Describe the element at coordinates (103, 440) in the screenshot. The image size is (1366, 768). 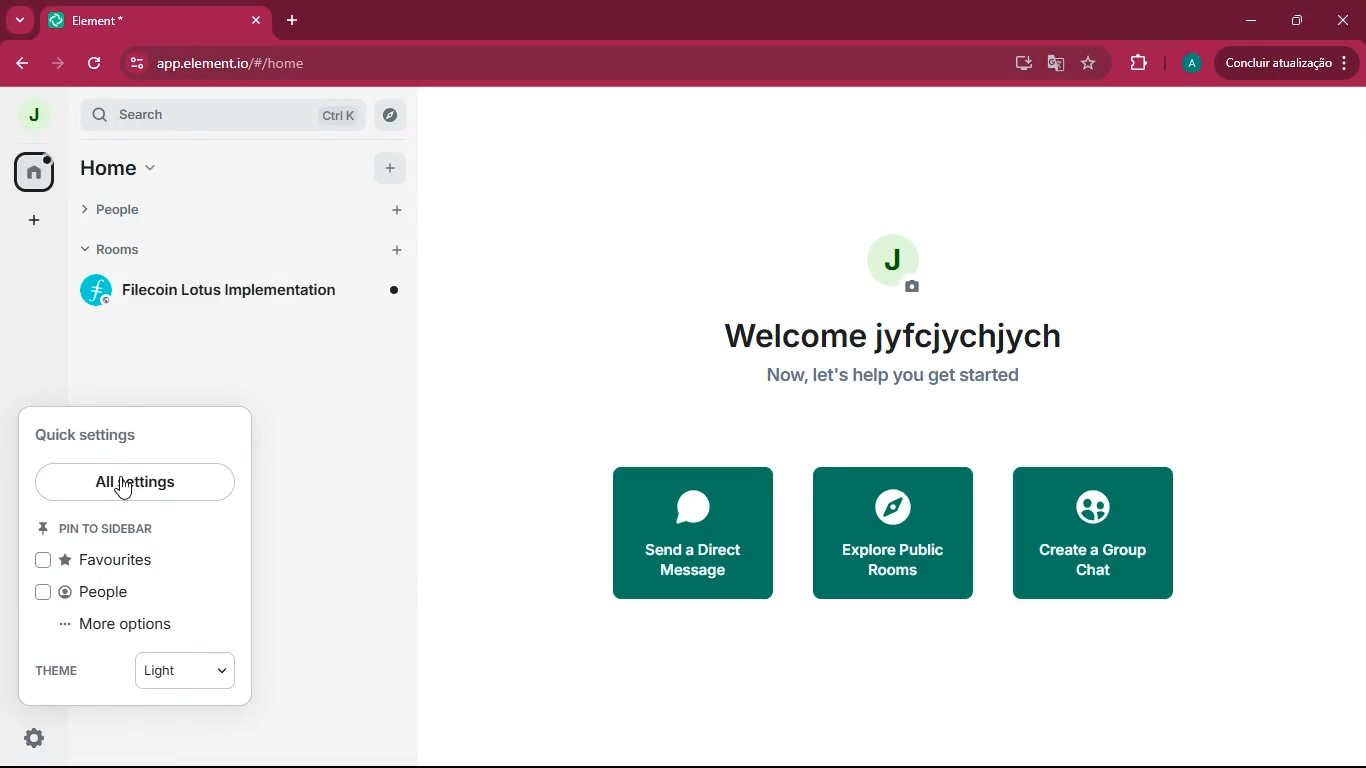
I see `quick settings` at that location.